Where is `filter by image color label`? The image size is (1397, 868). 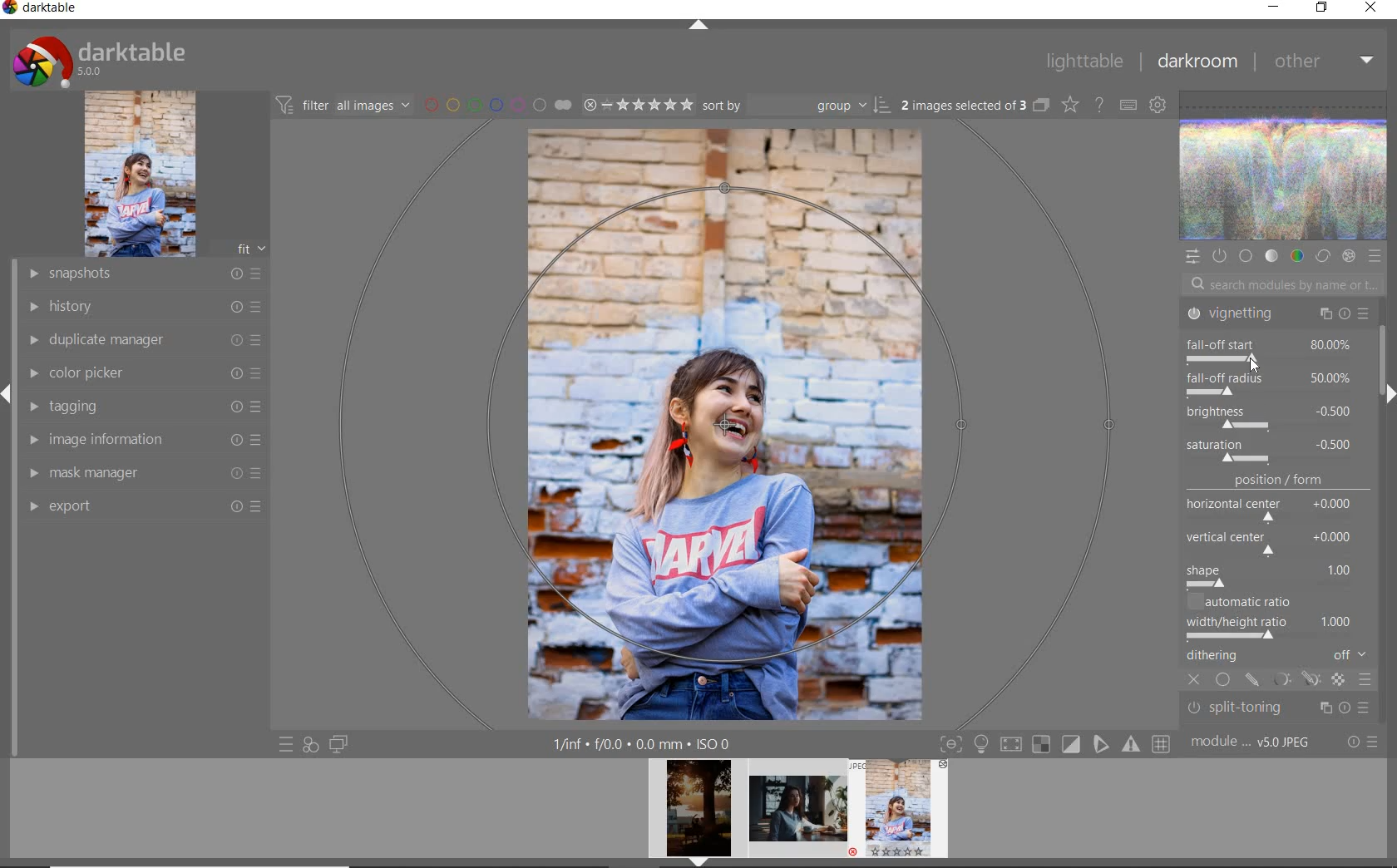
filter by image color label is located at coordinates (496, 104).